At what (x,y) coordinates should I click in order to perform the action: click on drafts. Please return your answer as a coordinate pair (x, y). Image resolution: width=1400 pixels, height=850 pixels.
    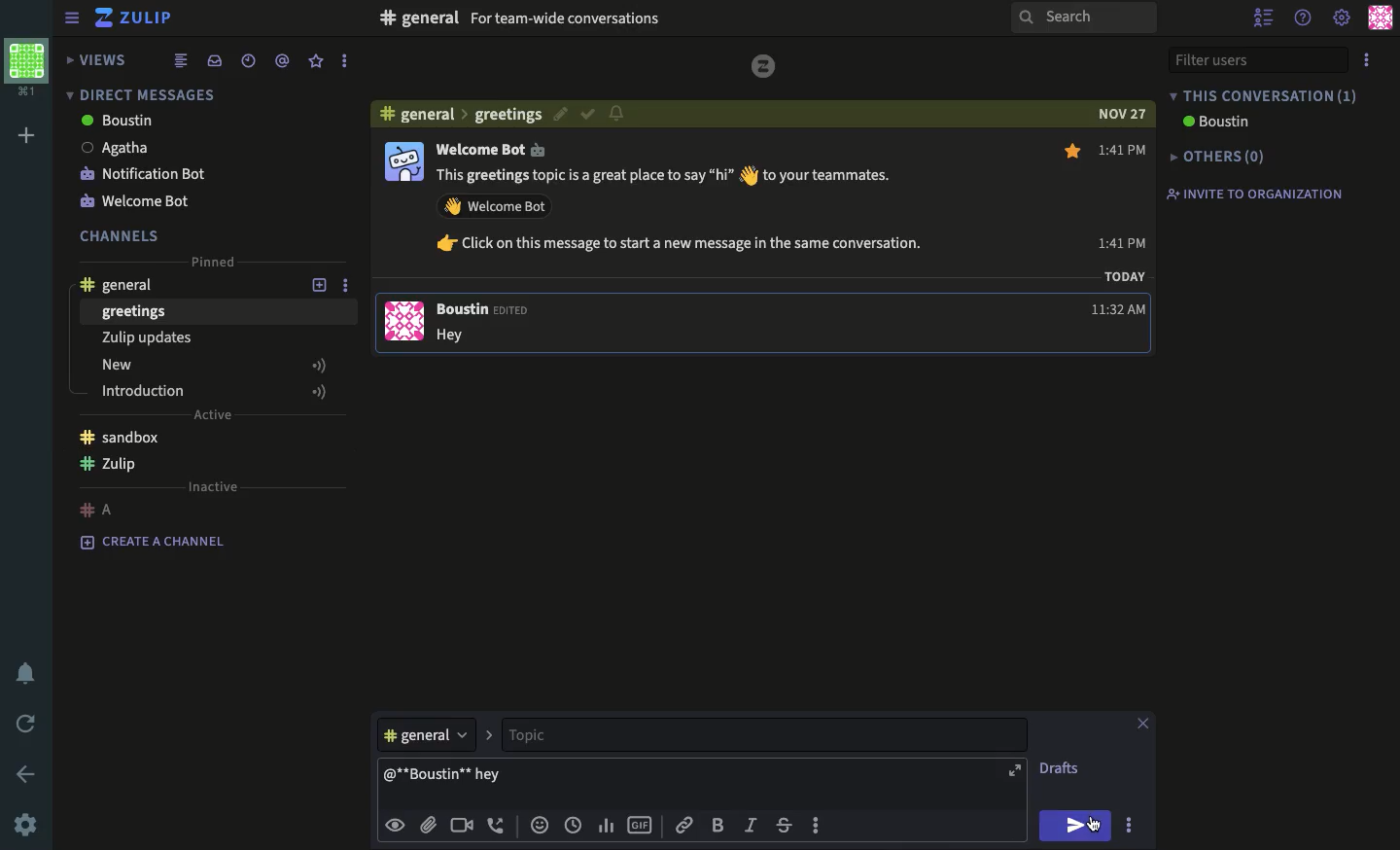
    Looking at the image, I should click on (1060, 766).